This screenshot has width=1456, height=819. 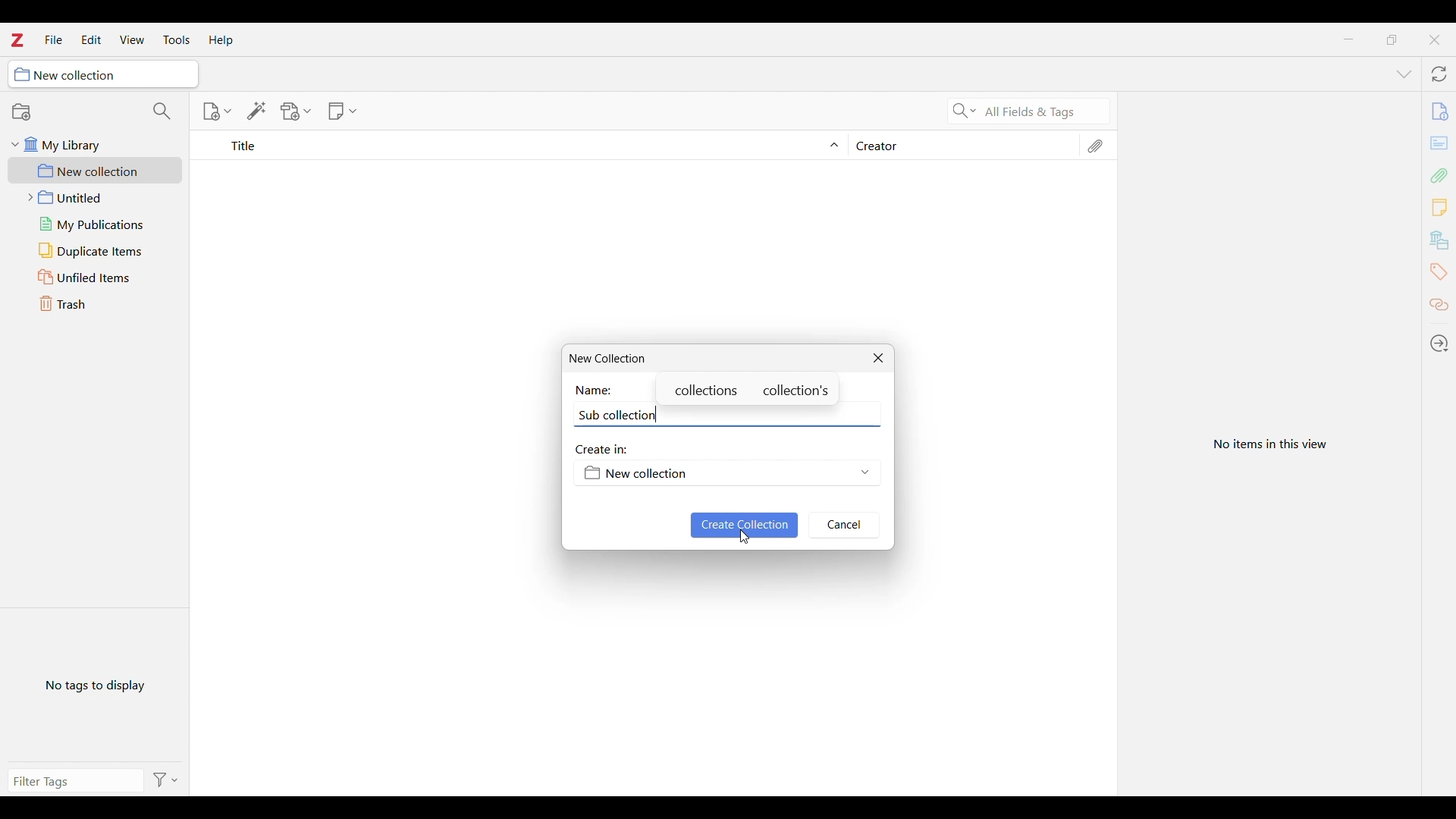 I want to click on View menu, so click(x=133, y=39).